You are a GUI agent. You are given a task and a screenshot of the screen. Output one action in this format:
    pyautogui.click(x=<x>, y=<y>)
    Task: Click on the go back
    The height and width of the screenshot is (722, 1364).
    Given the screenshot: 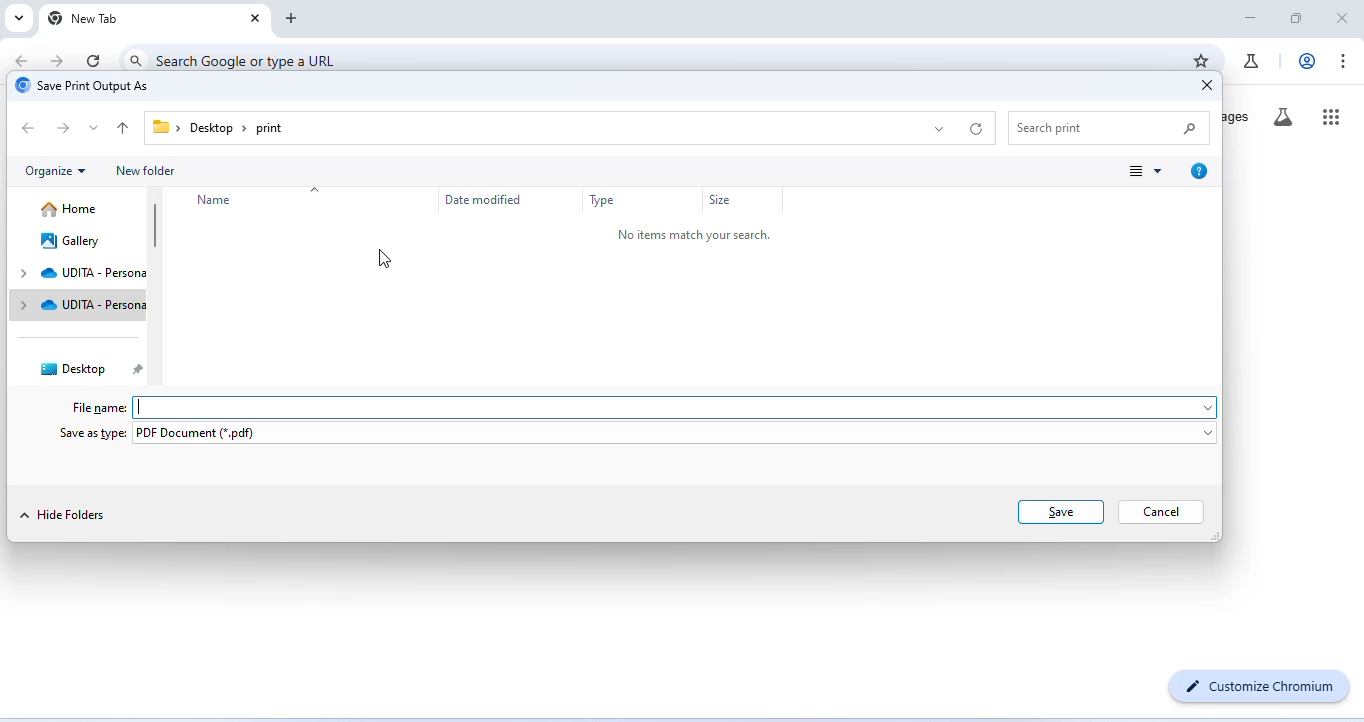 What is the action you would take?
    pyautogui.click(x=24, y=60)
    